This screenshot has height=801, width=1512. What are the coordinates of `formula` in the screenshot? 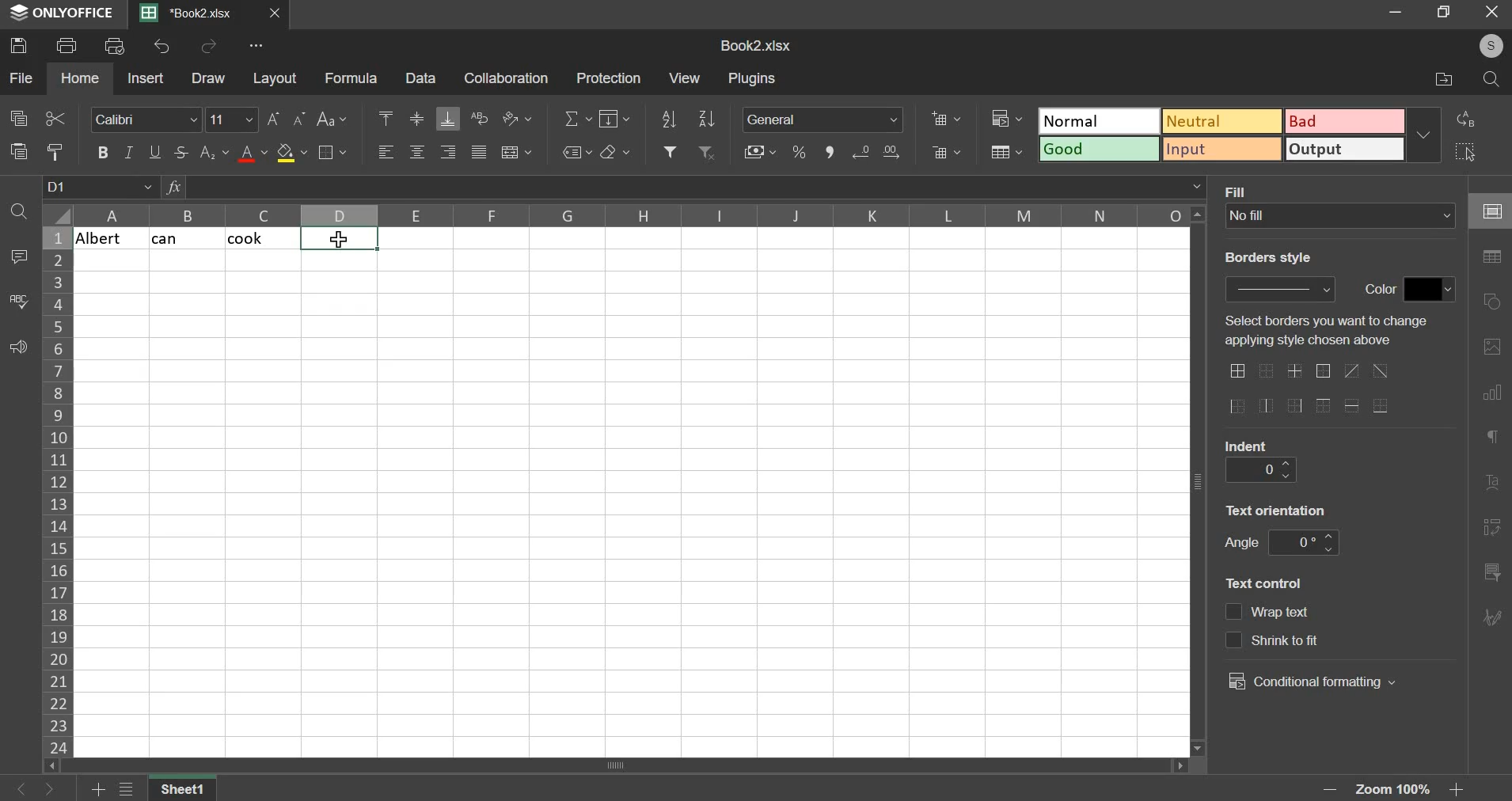 It's located at (351, 79).